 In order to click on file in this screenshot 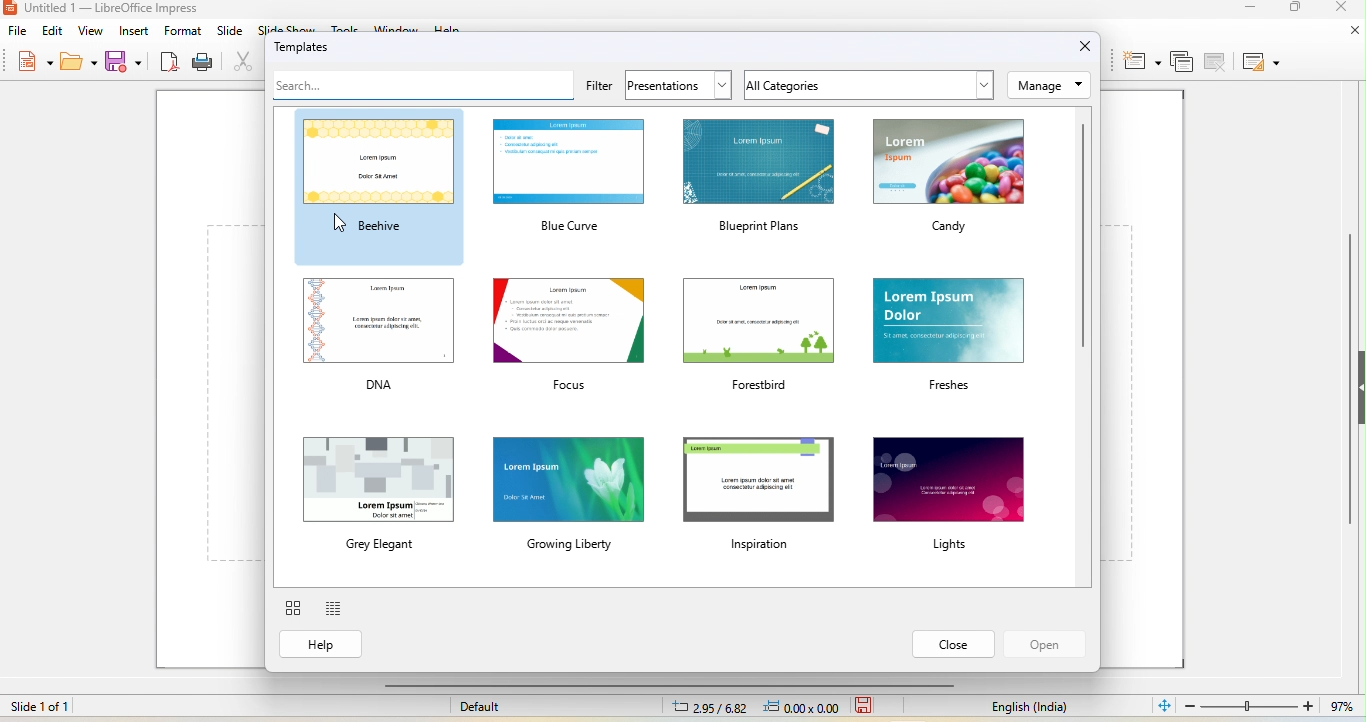, I will do `click(18, 32)`.